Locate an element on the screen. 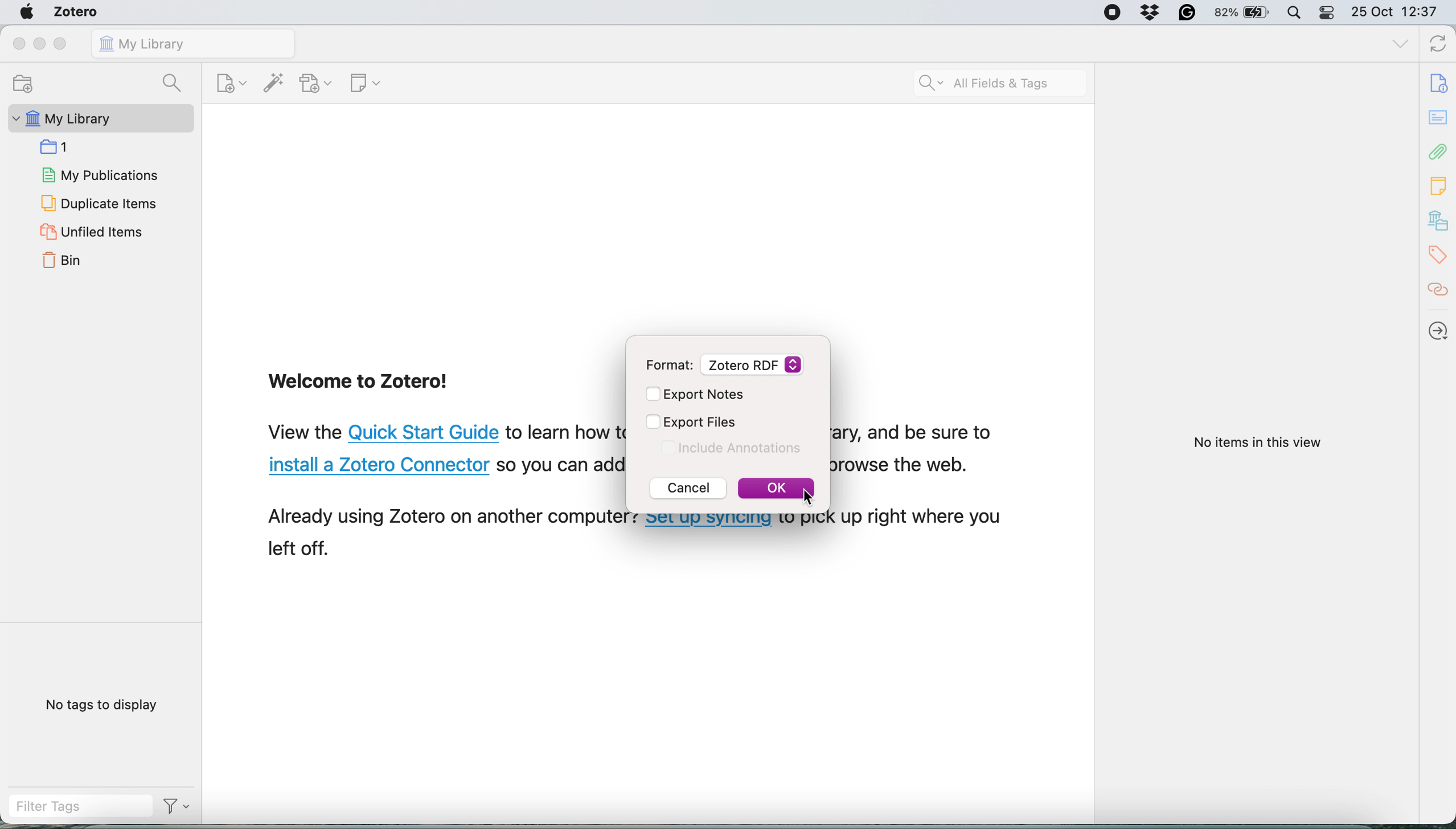 The height and width of the screenshot is (829, 1456). 25 Oct 12:37 is located at coordinates (1397, 13).